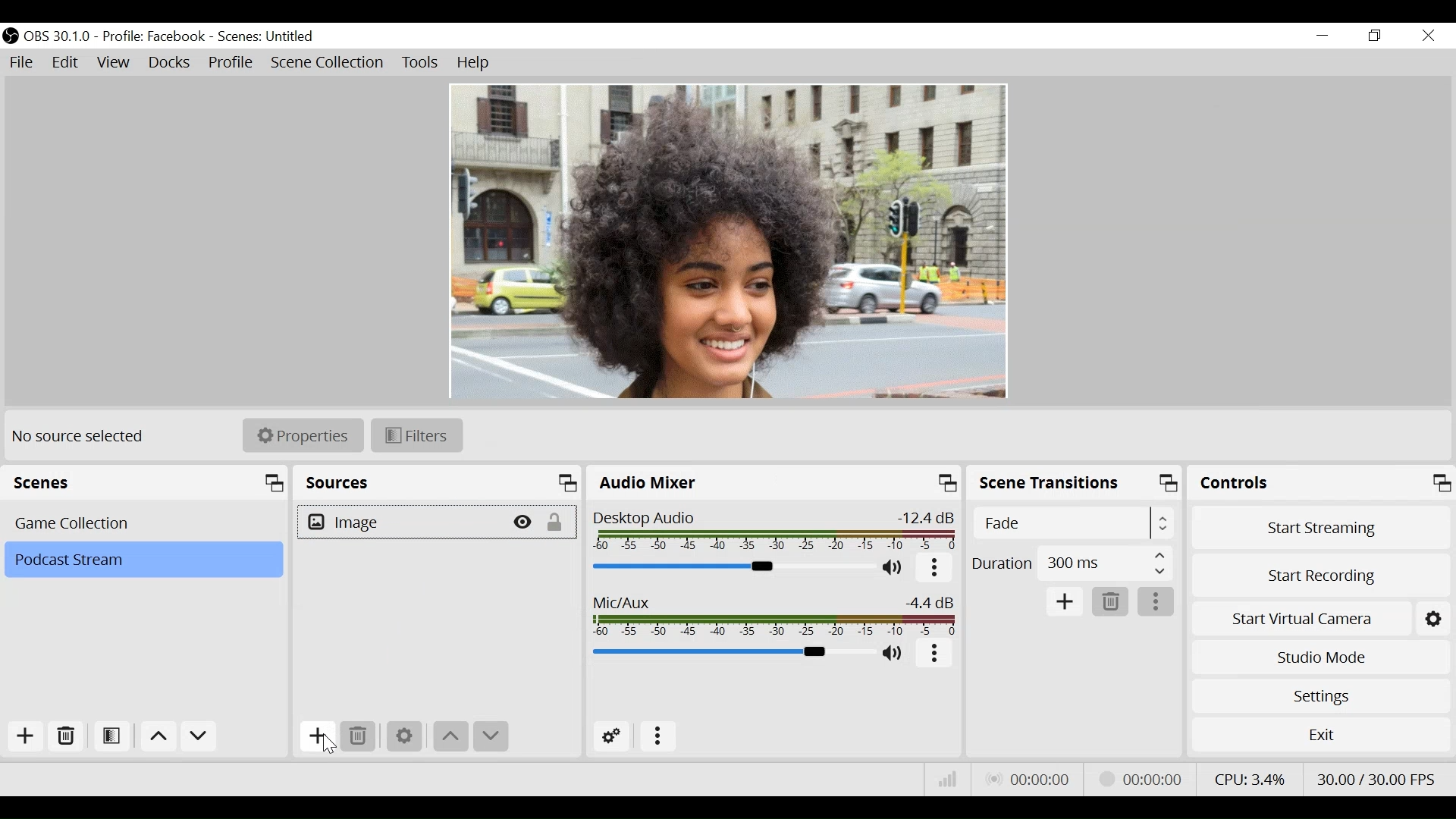 This screenshot has width=1456, height=819. Describe the element at coordinates (1064, 602) in the screenshot. I see `Add Scene Transition` at that location.